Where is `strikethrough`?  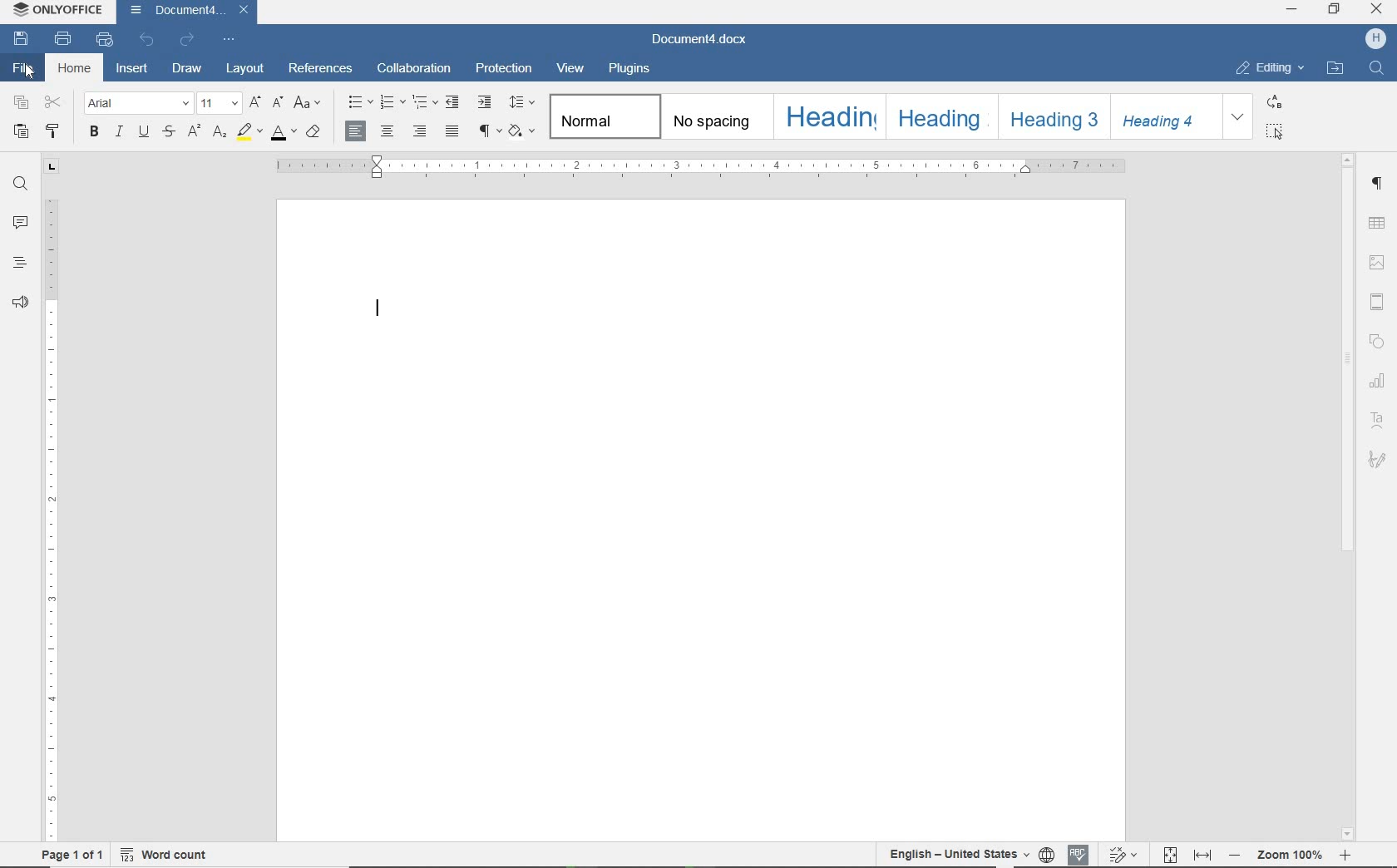
strikethrough is located at coordinates (170, 133).